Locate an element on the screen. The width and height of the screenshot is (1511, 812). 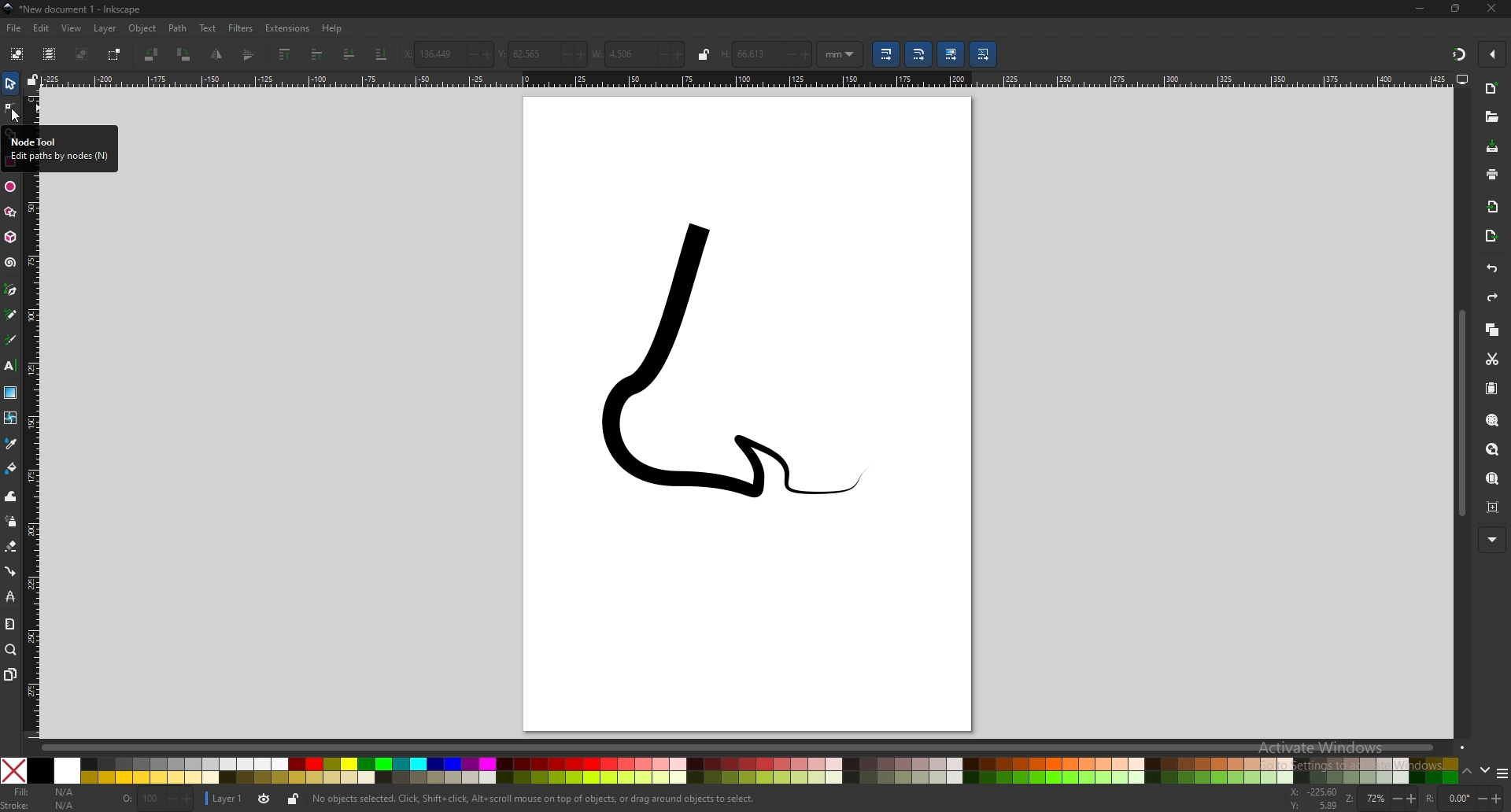
rotate 90 degree ccw is located at coordinates (153, 56).